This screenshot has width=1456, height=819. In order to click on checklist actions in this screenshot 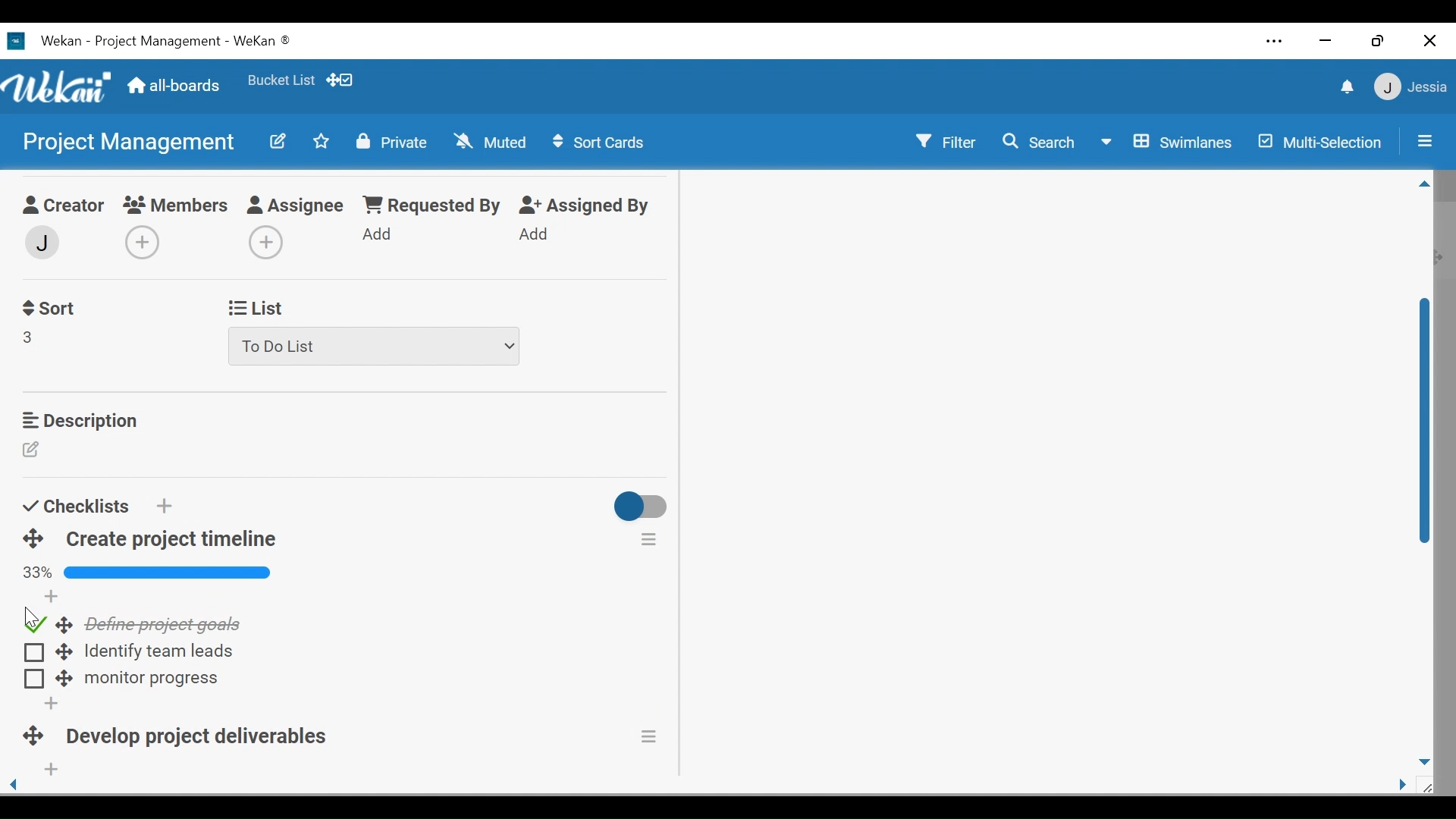, I will do `click(649, 538)`.